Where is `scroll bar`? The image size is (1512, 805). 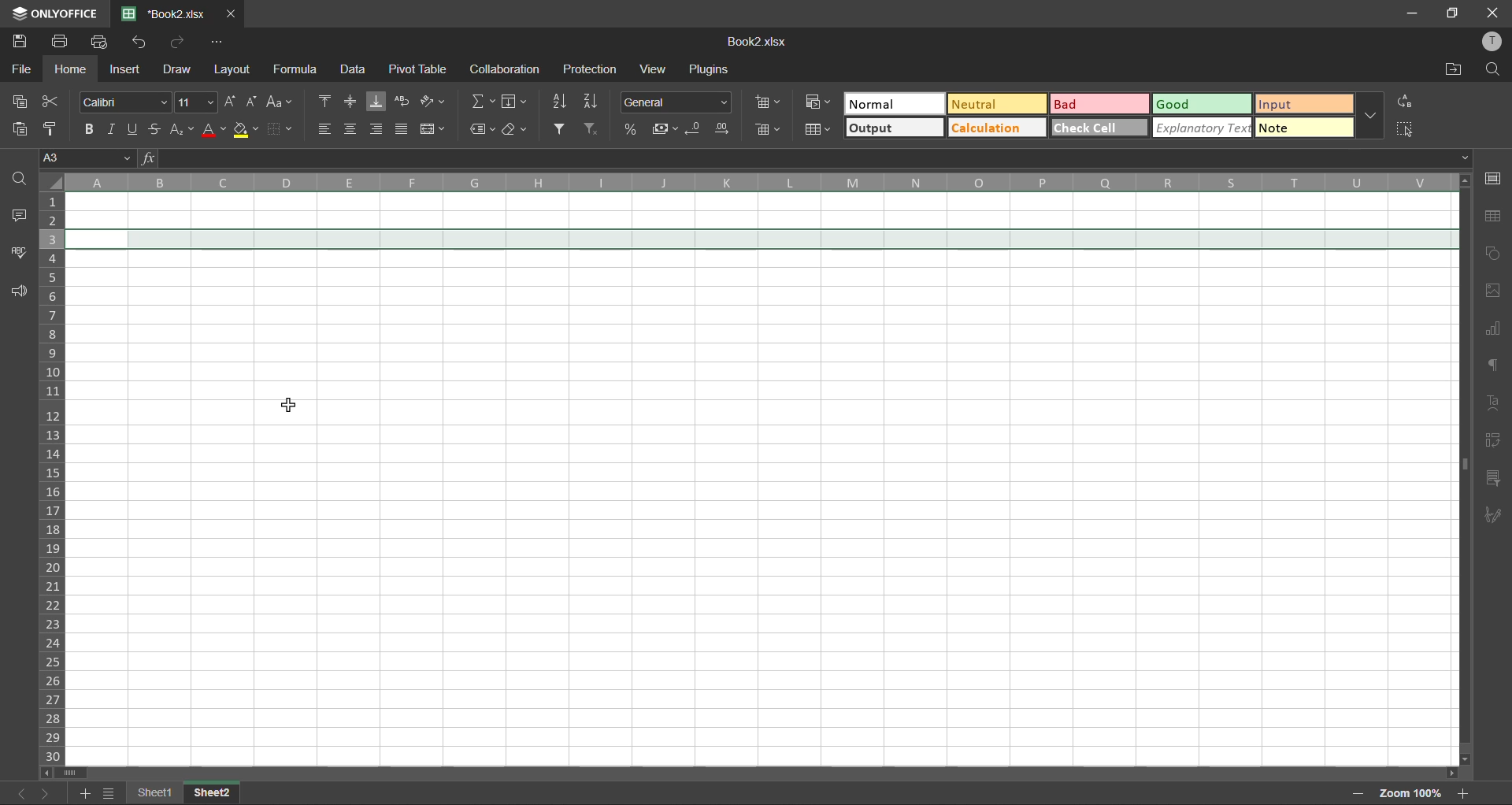 scroll bar is located at coordinates (70, 772).